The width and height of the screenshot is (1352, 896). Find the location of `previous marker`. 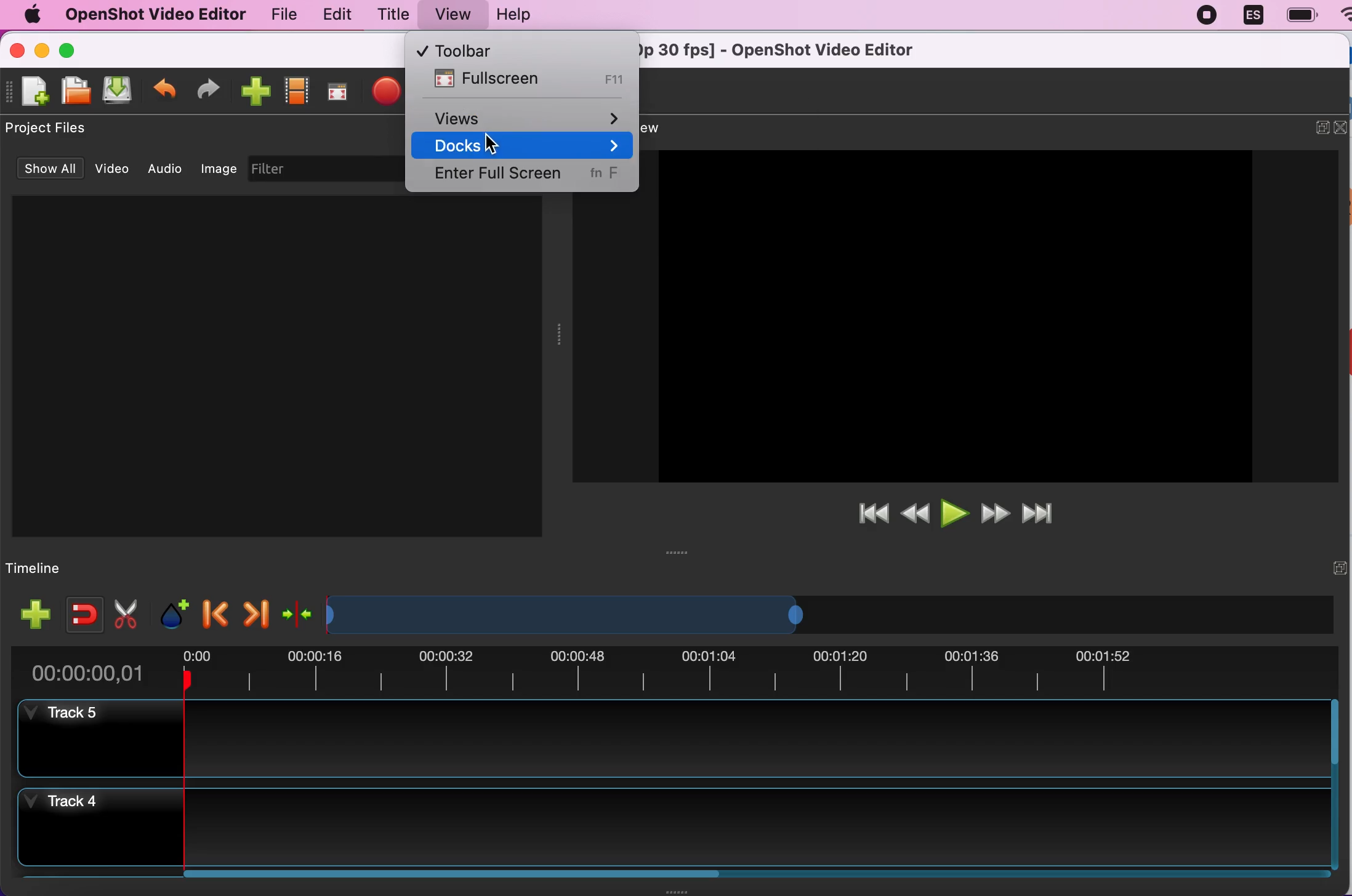

previous marker is located at coordinates (216, 610).